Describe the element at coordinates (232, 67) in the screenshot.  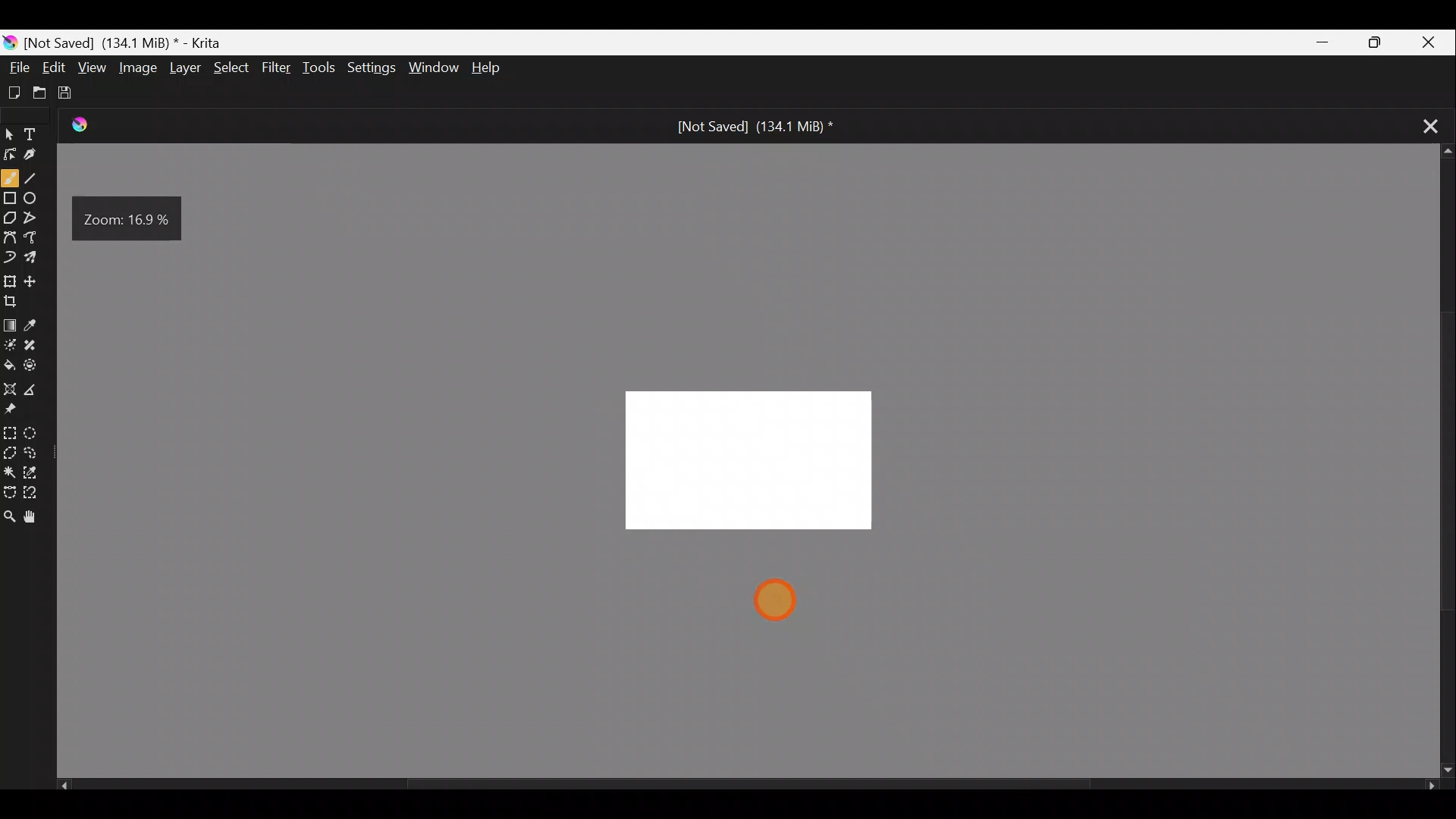
I see `Select` at that location.